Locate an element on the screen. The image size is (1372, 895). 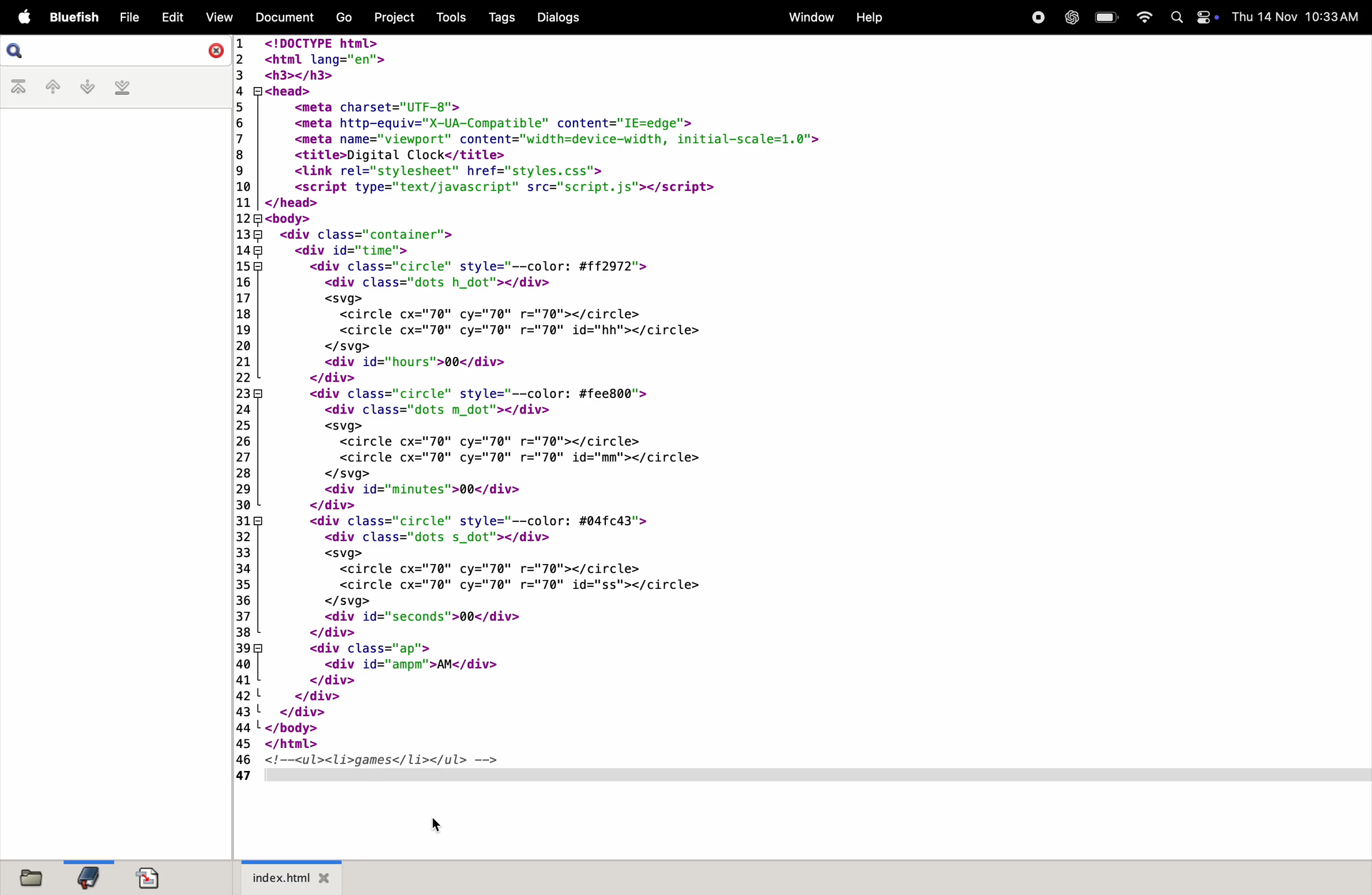
Date and time is located at coordinates (1297, 16).